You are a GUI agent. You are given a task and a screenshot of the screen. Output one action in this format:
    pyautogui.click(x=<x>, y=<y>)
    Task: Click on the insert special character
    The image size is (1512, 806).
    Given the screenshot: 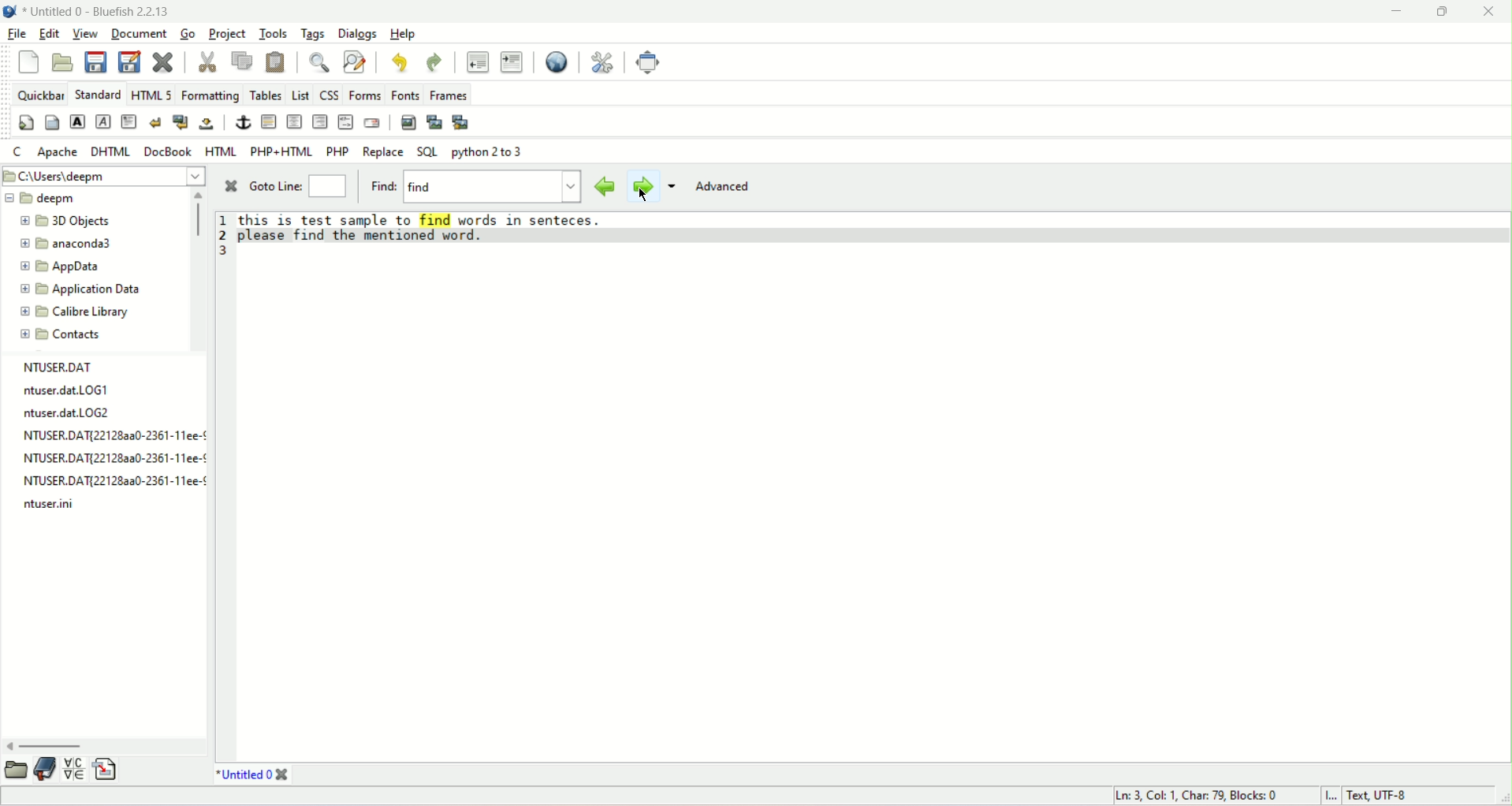 What is the action you would take?
    pyautogui.click(x=73, y=769)
    